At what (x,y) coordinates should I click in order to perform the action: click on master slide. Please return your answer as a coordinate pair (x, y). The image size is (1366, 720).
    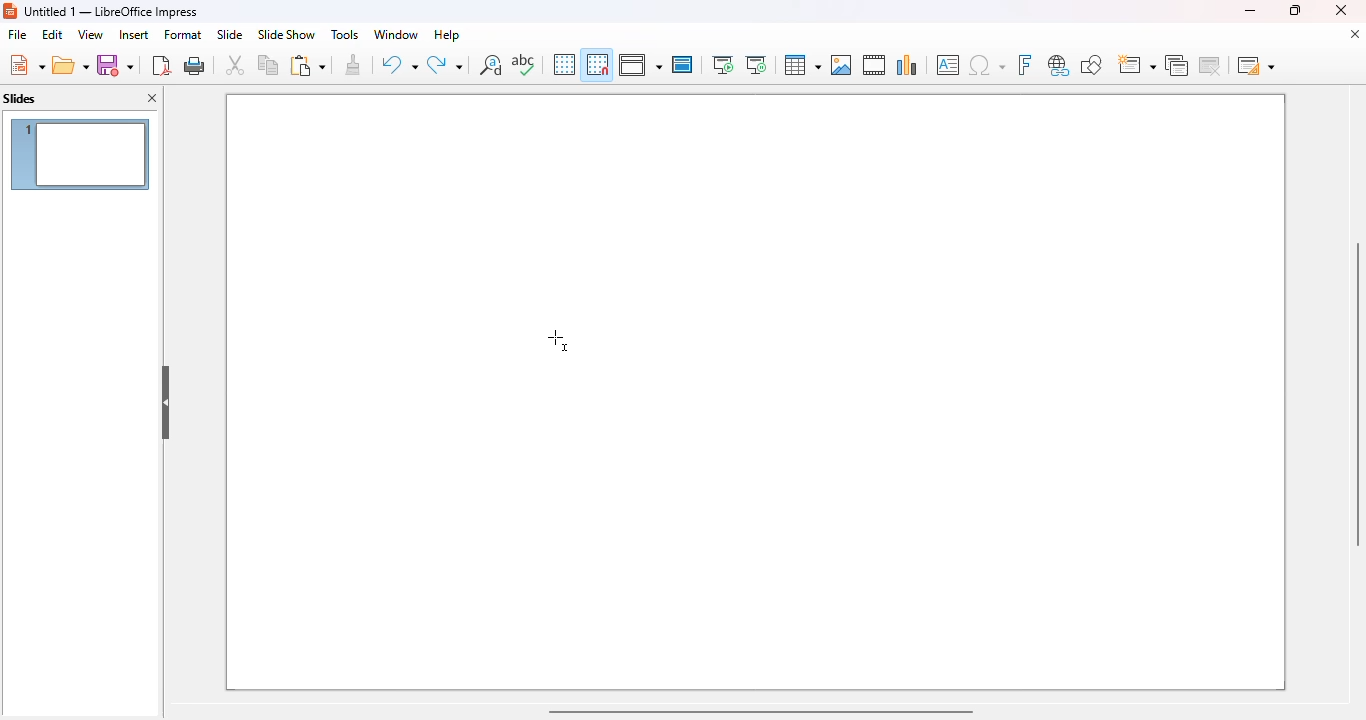
    Looking at the image, I should click on (682, 64).